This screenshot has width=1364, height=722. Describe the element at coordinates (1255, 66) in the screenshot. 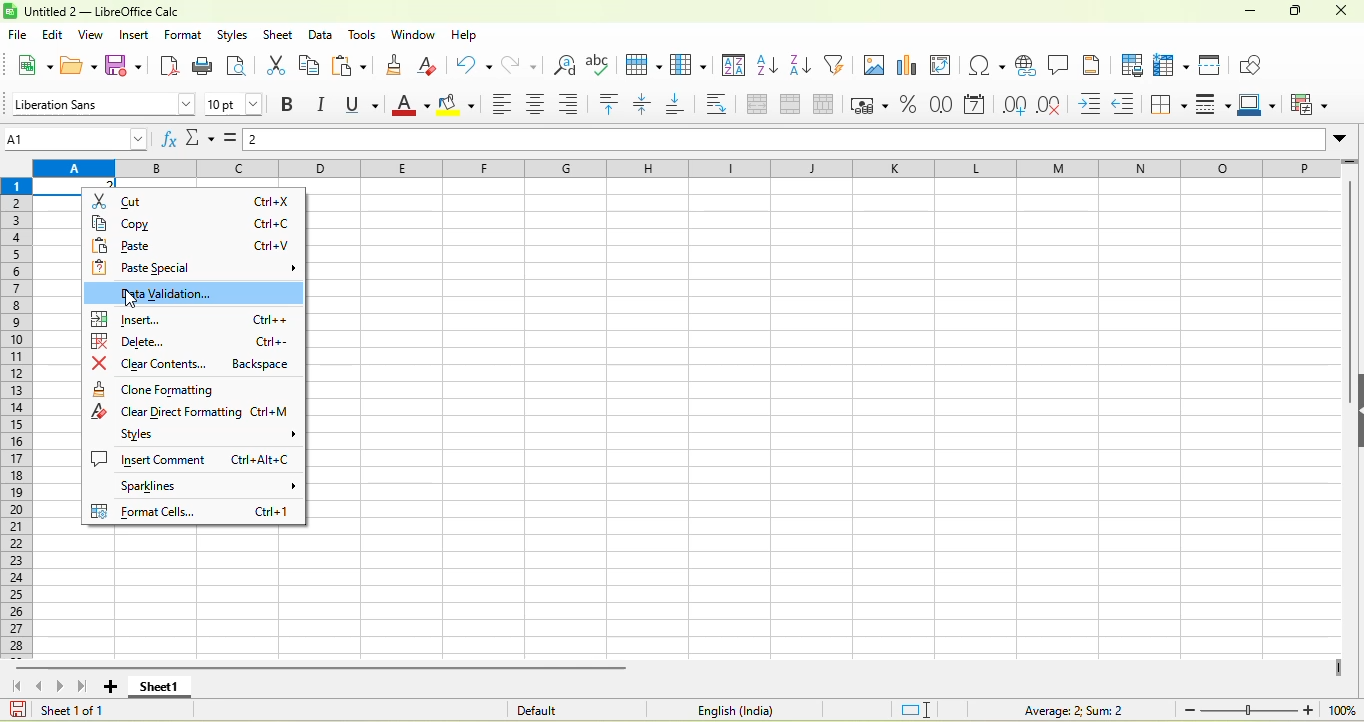

I see `show draw function` at that location.